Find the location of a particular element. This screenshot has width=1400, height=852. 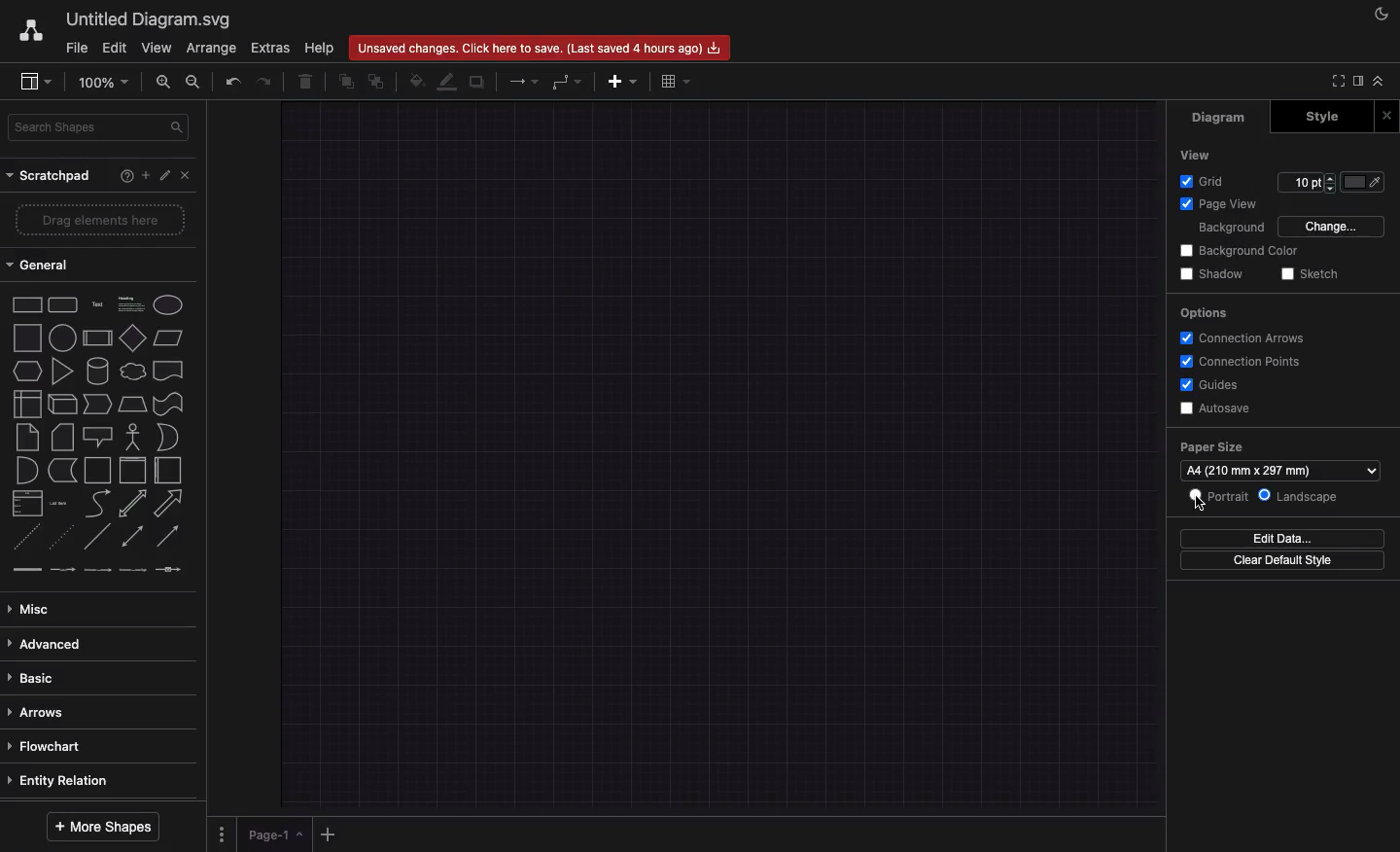

Extras is located at coordinates (269, 50).